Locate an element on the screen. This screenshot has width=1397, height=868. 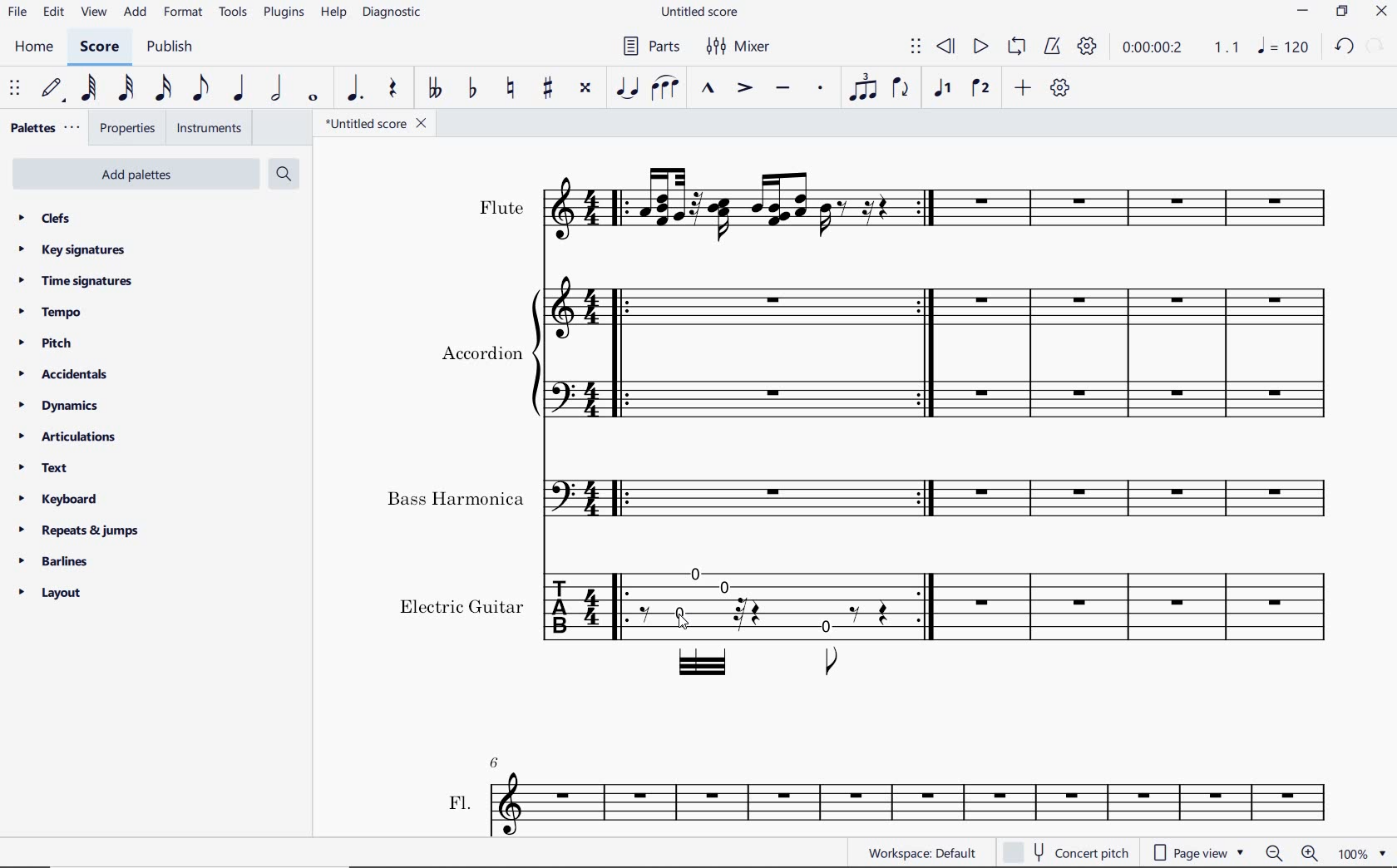
accent is located at coordinates (742, 87).